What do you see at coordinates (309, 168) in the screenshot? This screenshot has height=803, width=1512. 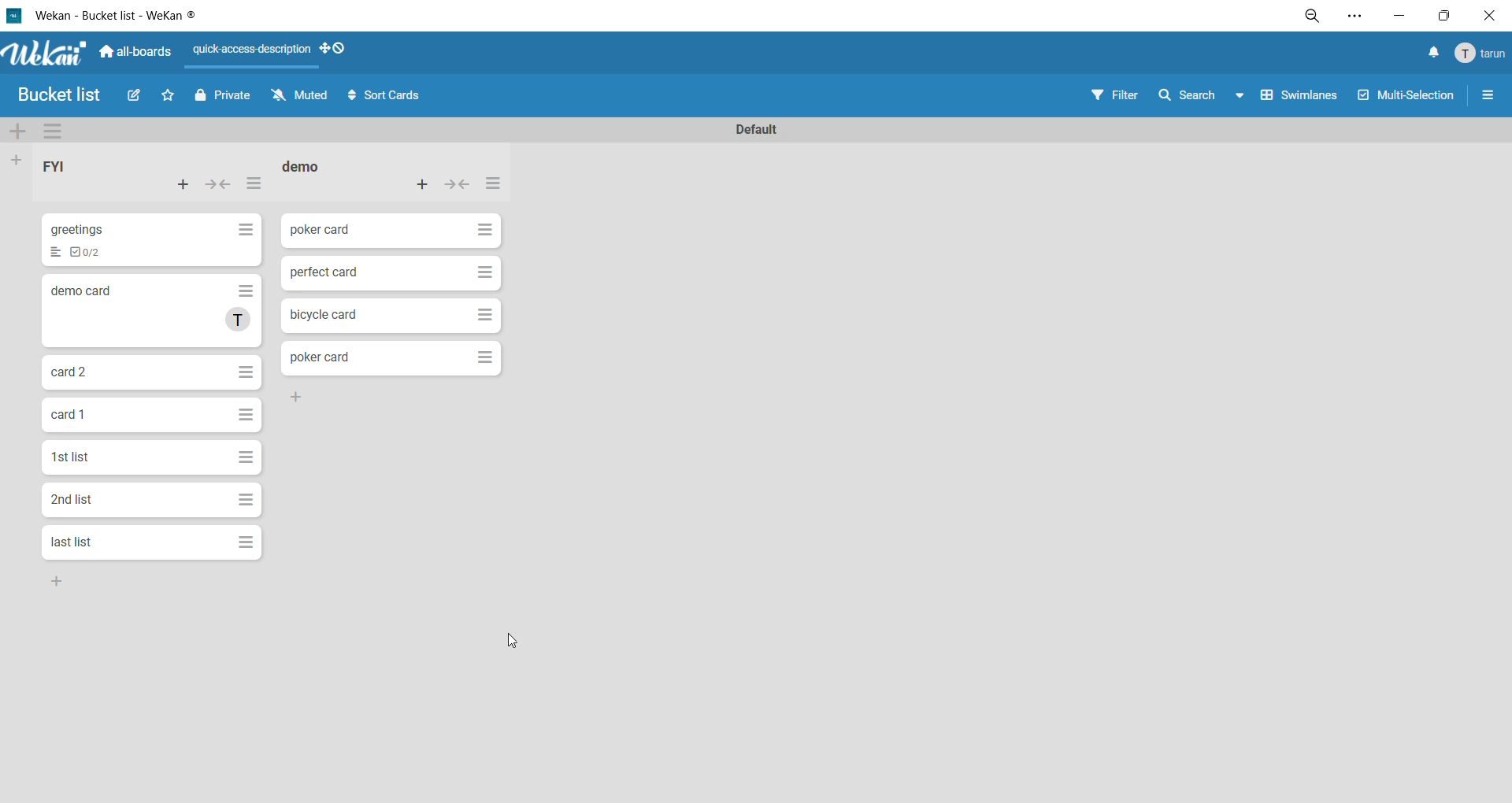 I see `list title ` at bounding box center [309, 168].